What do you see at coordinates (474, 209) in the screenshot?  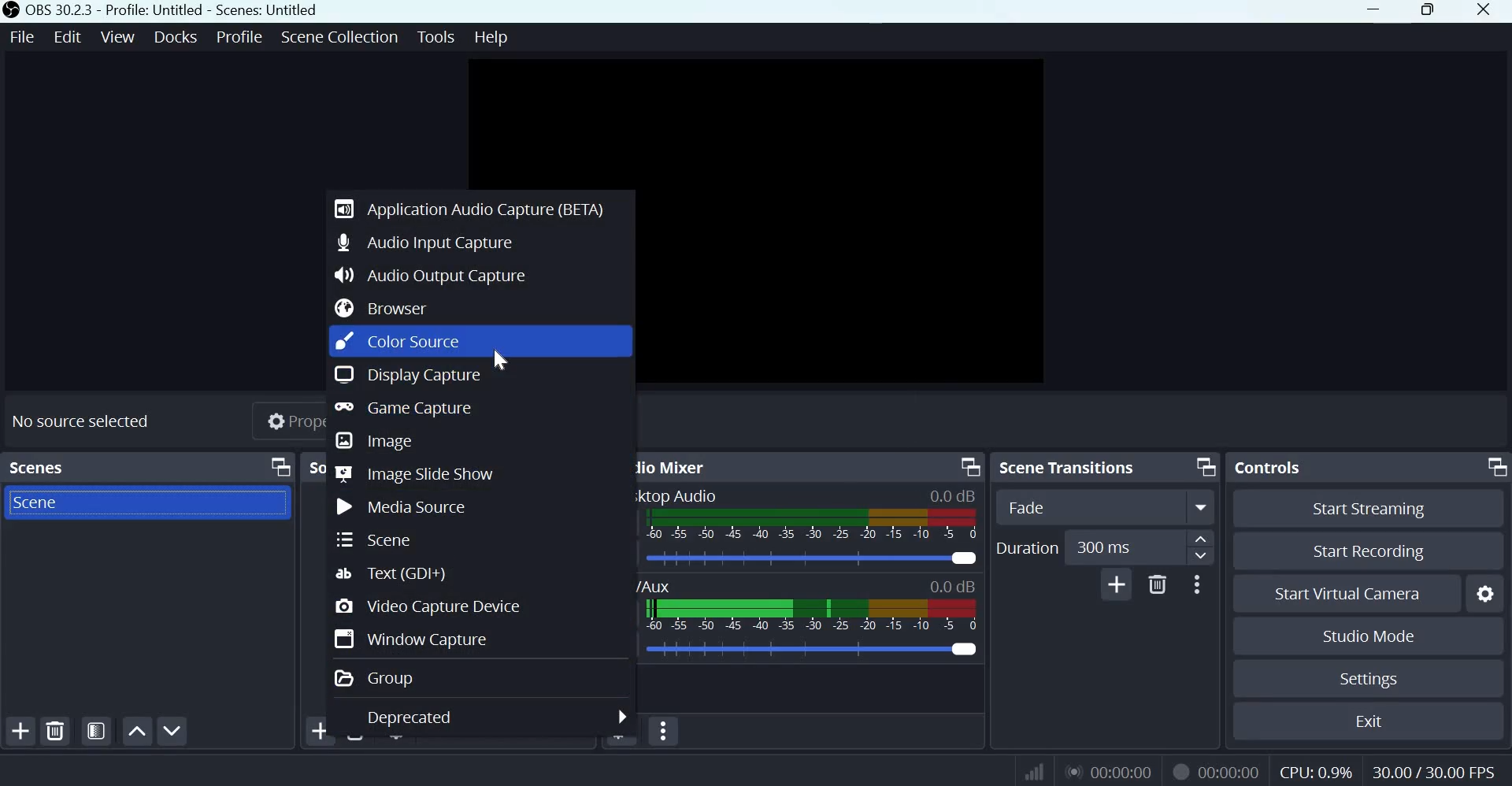 I see `Application Audio Capture` at bounding box center [474, 209].